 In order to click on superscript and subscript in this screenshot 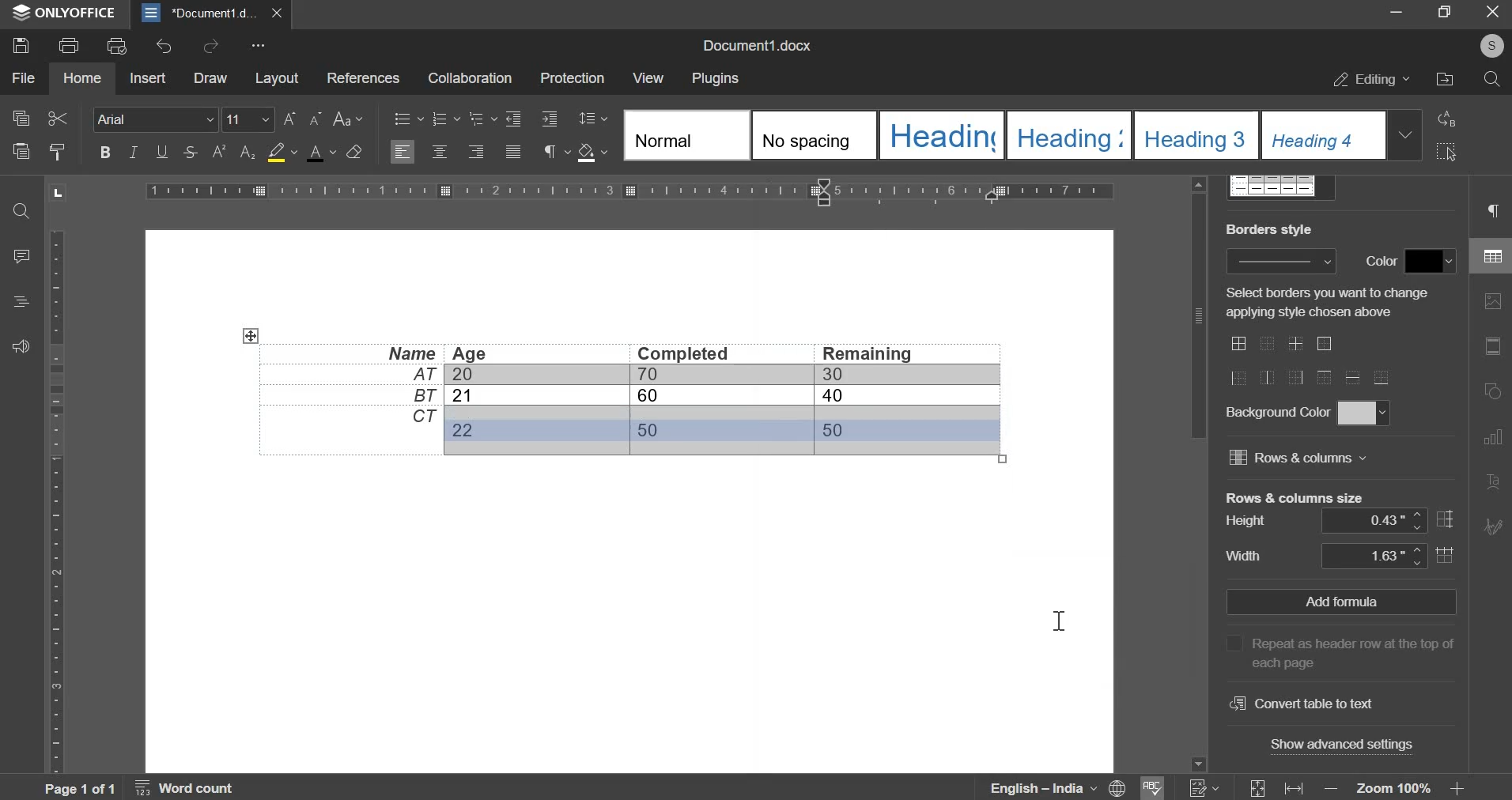, I will do `click(232, 152)`.